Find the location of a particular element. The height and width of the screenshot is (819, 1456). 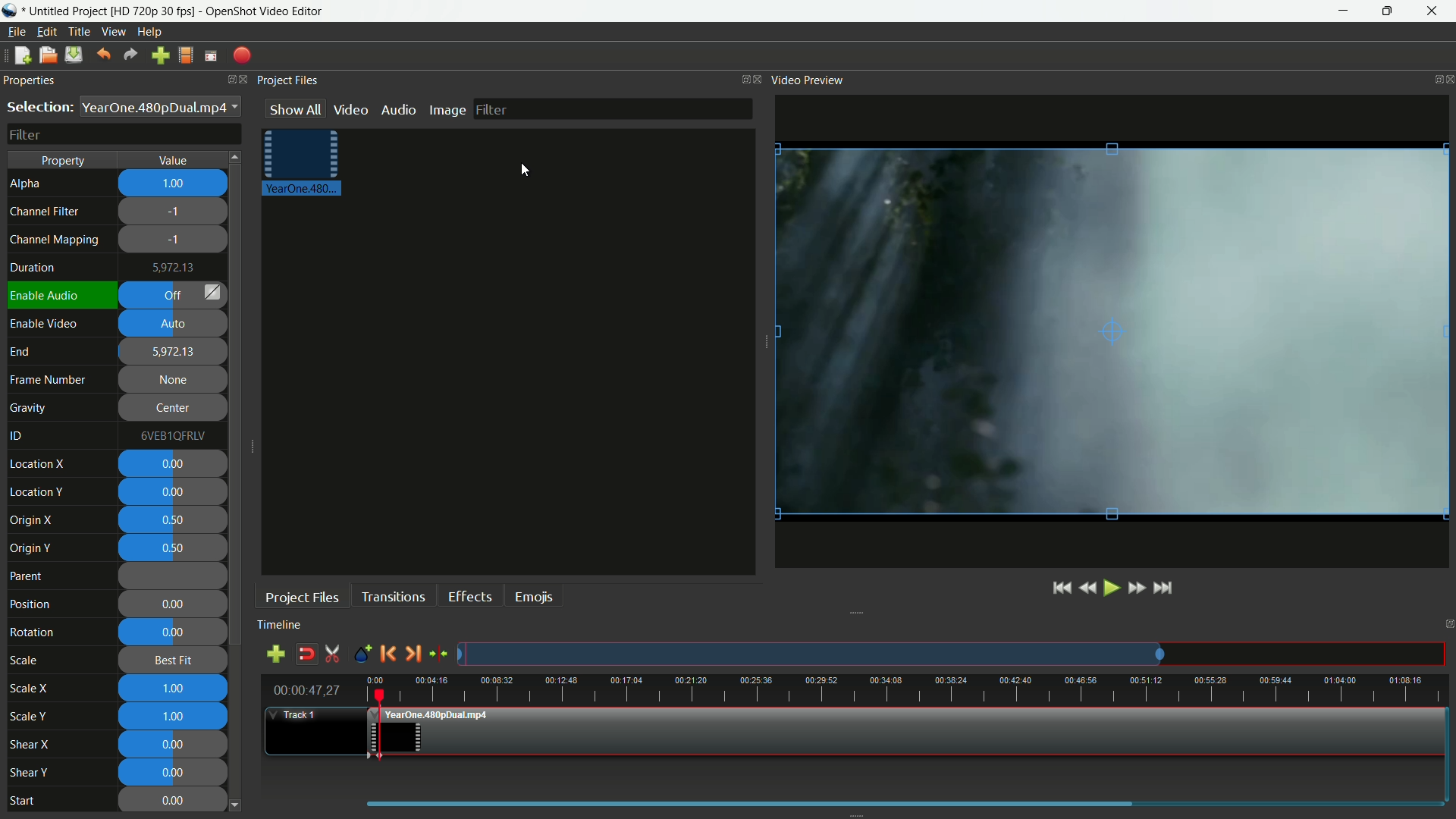

emojis is located at coordinates (532, 595).